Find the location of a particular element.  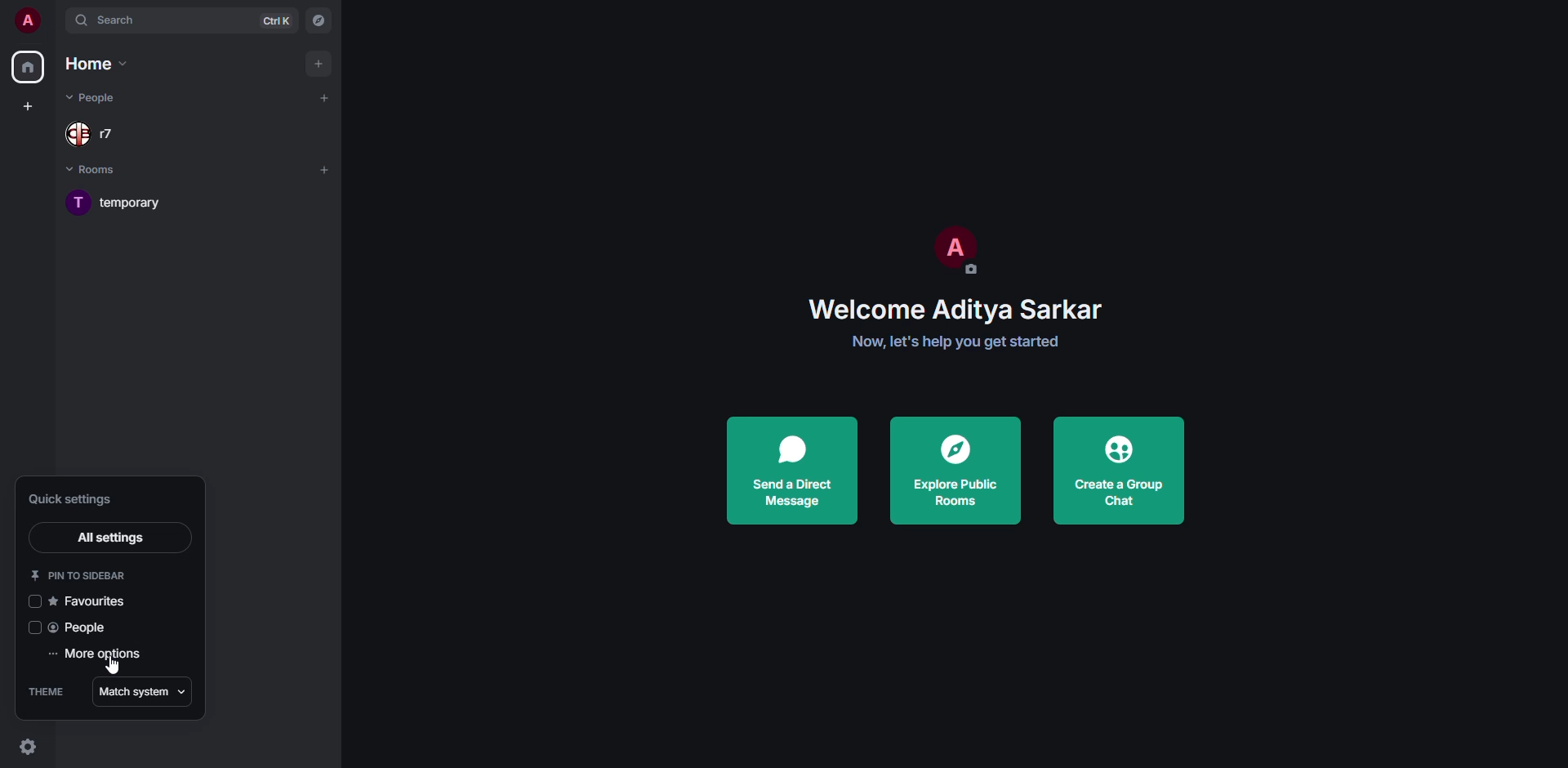

add is located at coordinates (325, 97).